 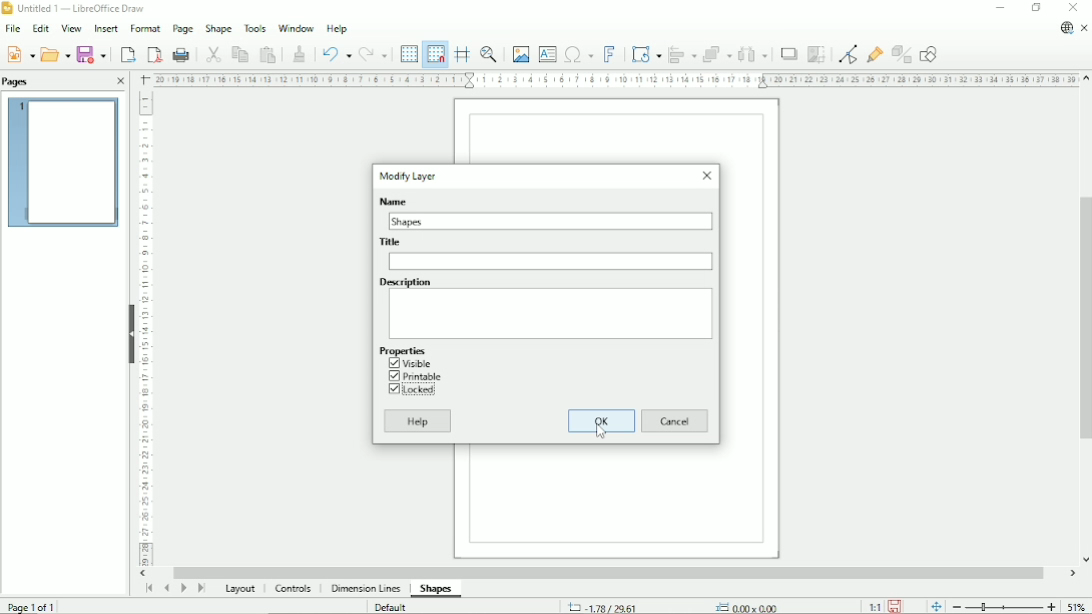 I want to click on Vertical scrollbar, so click(x=1085, y=318).